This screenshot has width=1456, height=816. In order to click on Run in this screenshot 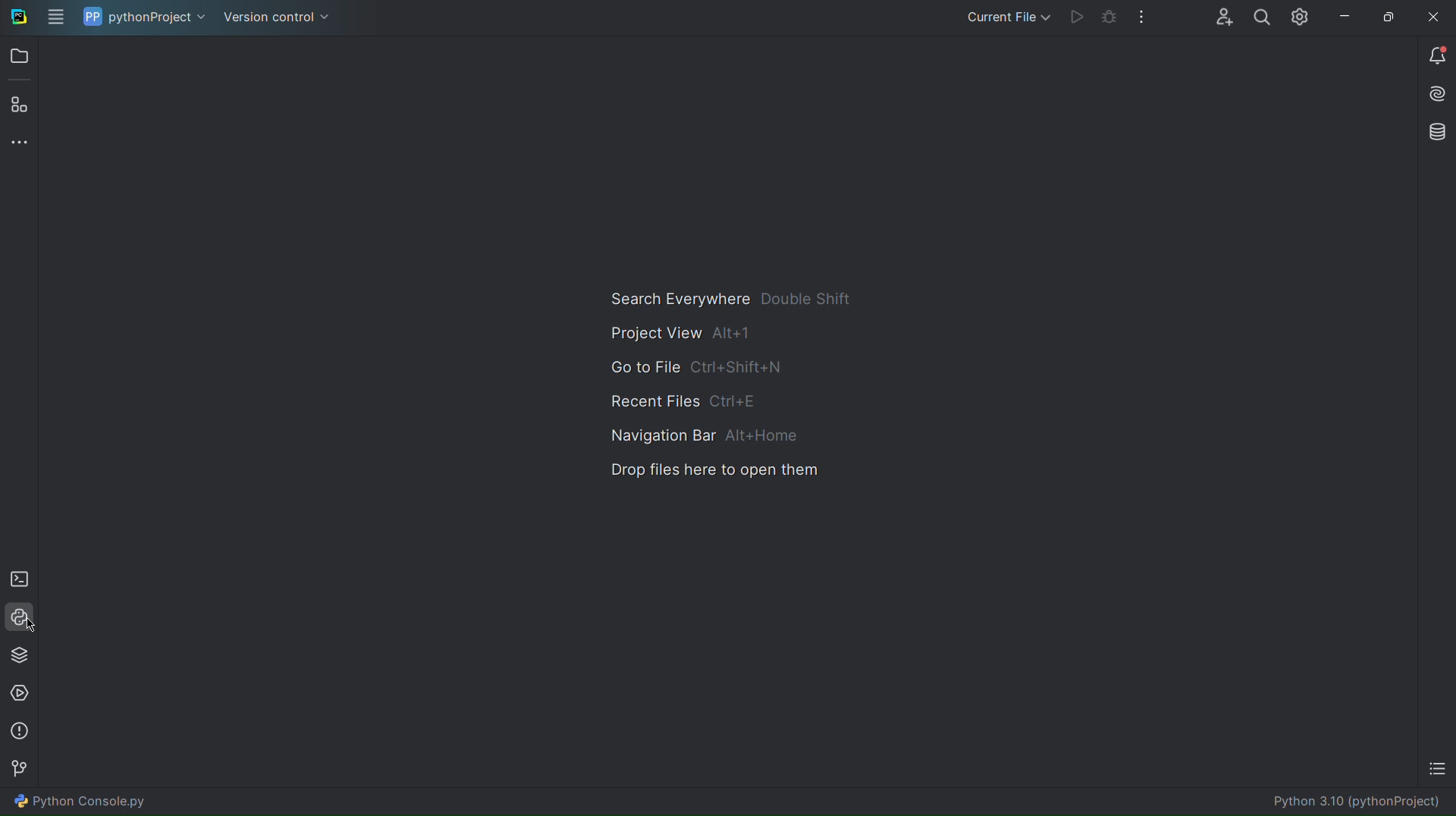, I will do `click(1072, 19)`.